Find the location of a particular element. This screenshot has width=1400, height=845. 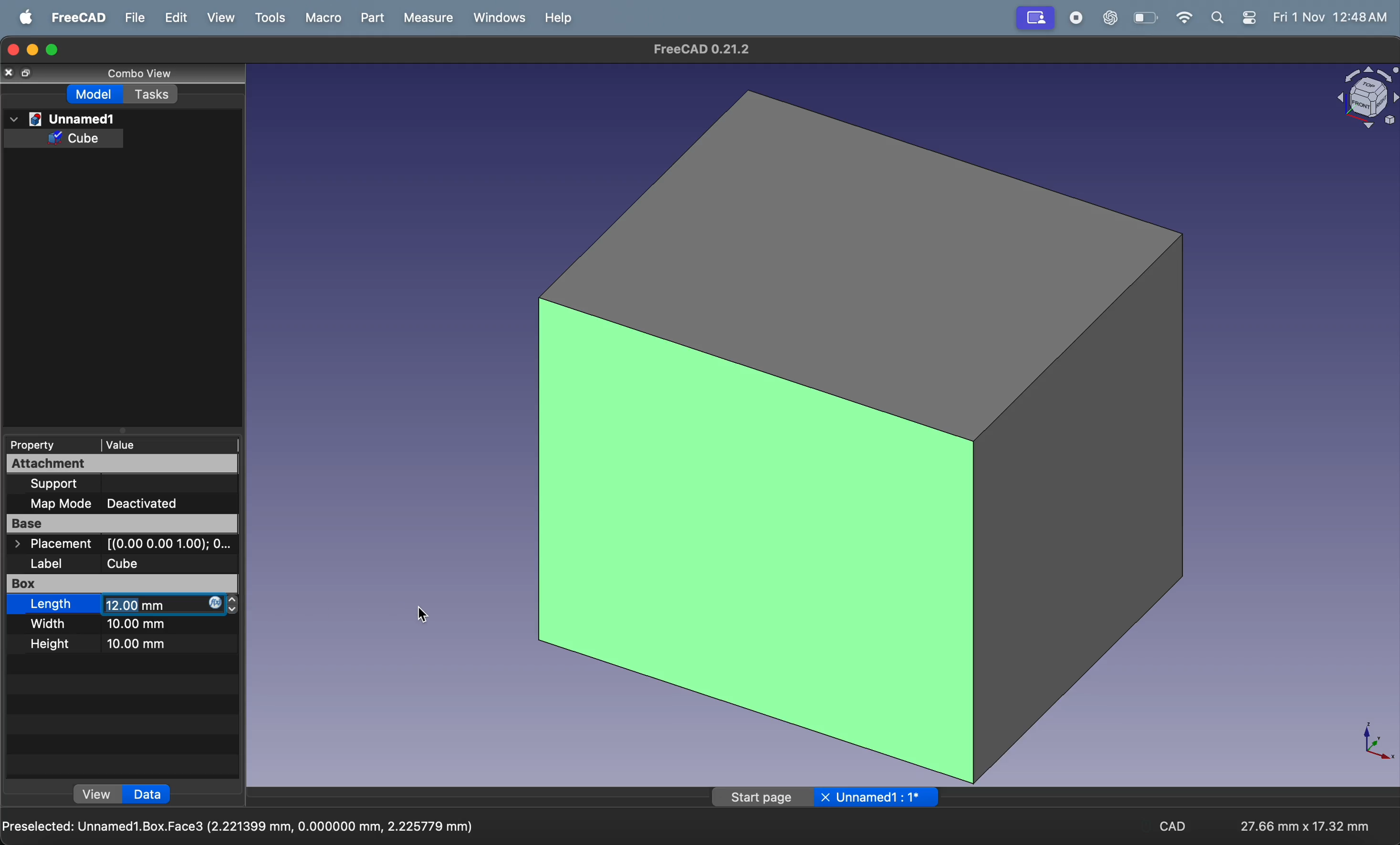

windows is located at coordinates (495, 17).